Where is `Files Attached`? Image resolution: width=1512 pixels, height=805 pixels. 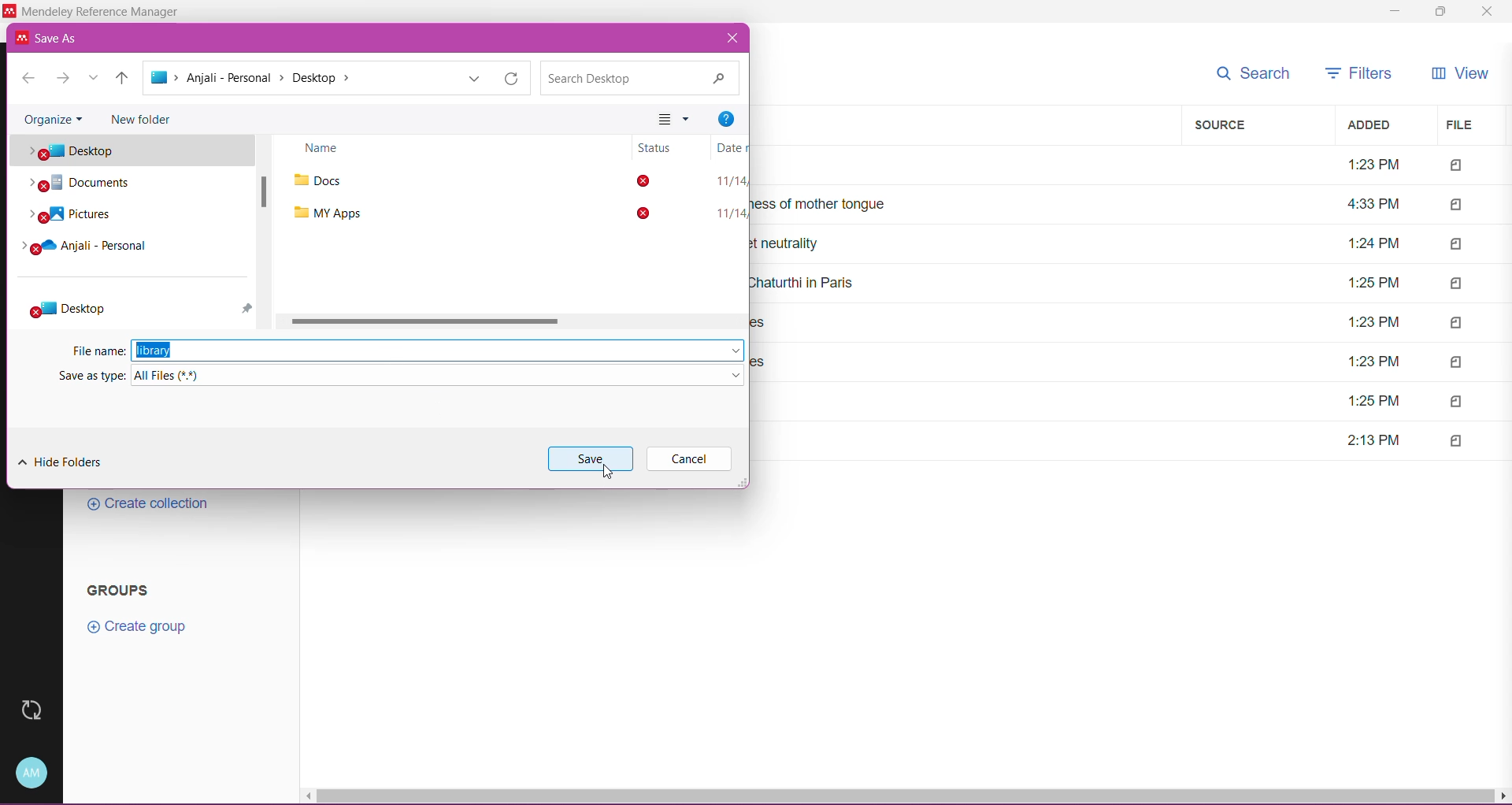 Files Attached is located at coordinates (1471, 302).